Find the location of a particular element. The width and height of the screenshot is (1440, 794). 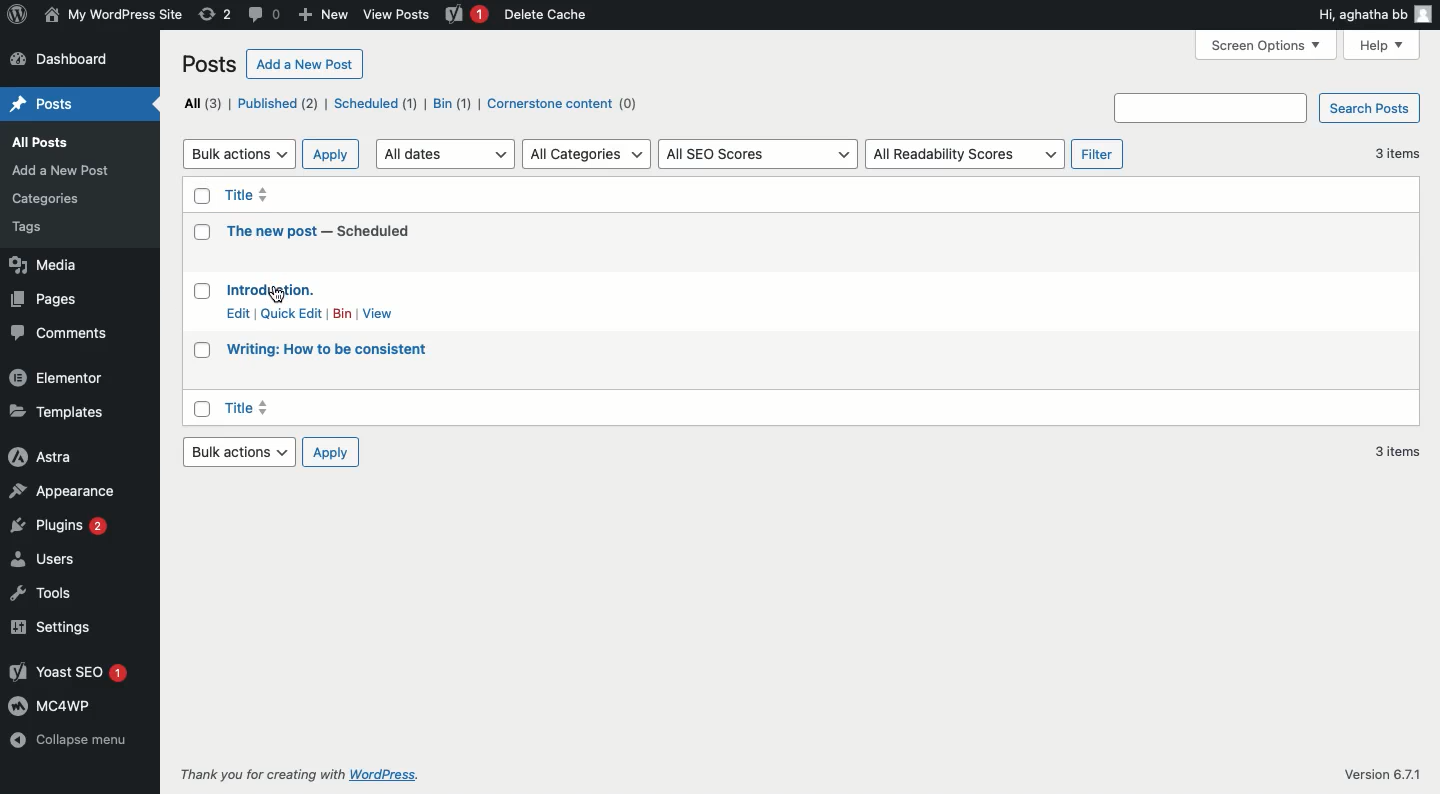

Posts is located at coordinates (210, 64).